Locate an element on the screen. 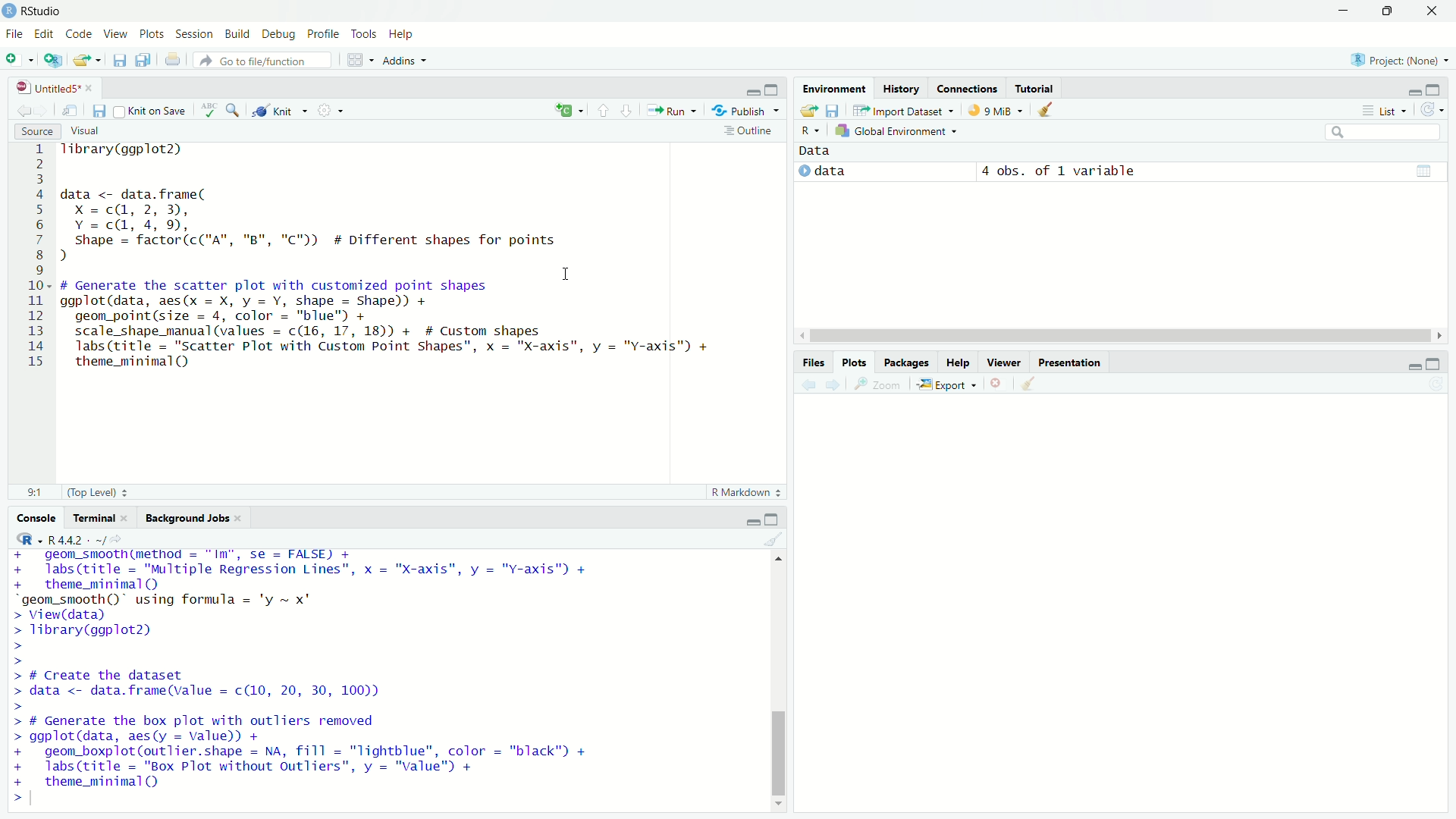  Next plot is located at coordinates (832, 384).